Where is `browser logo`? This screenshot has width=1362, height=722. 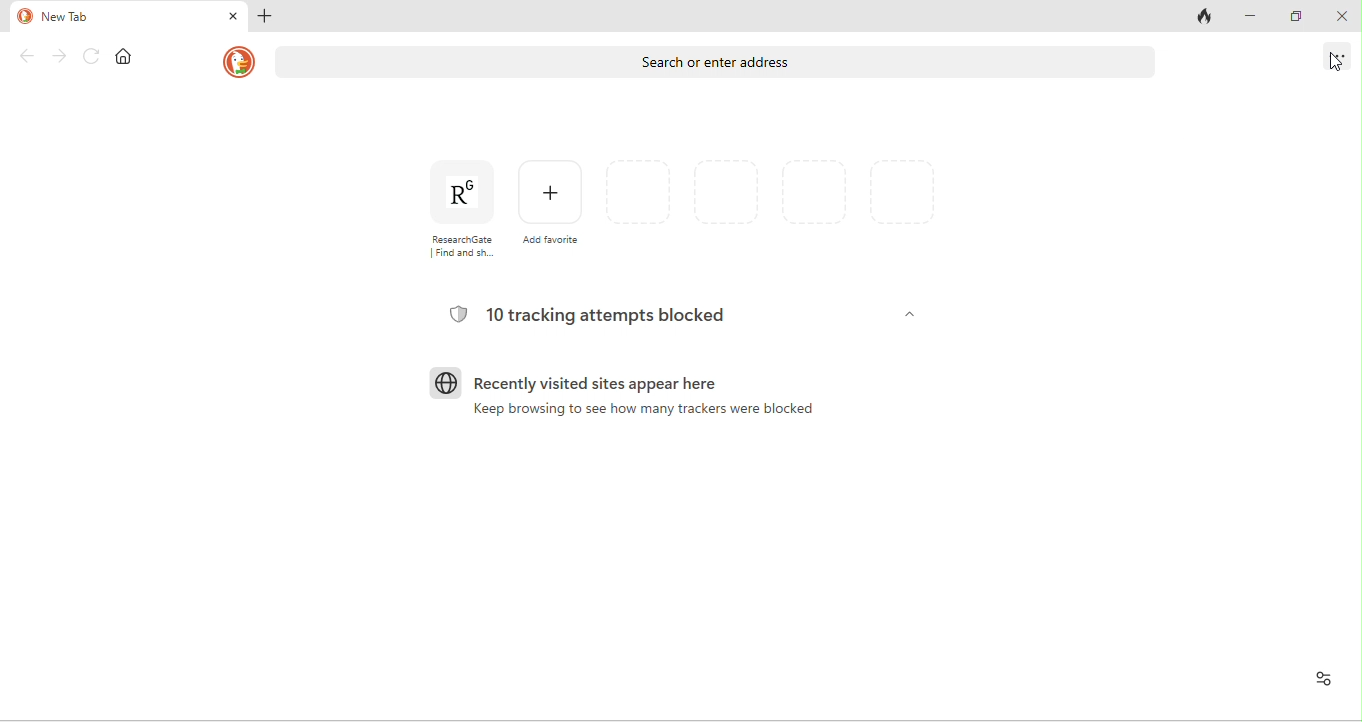 browser logo is located at coordinates (445, 382).